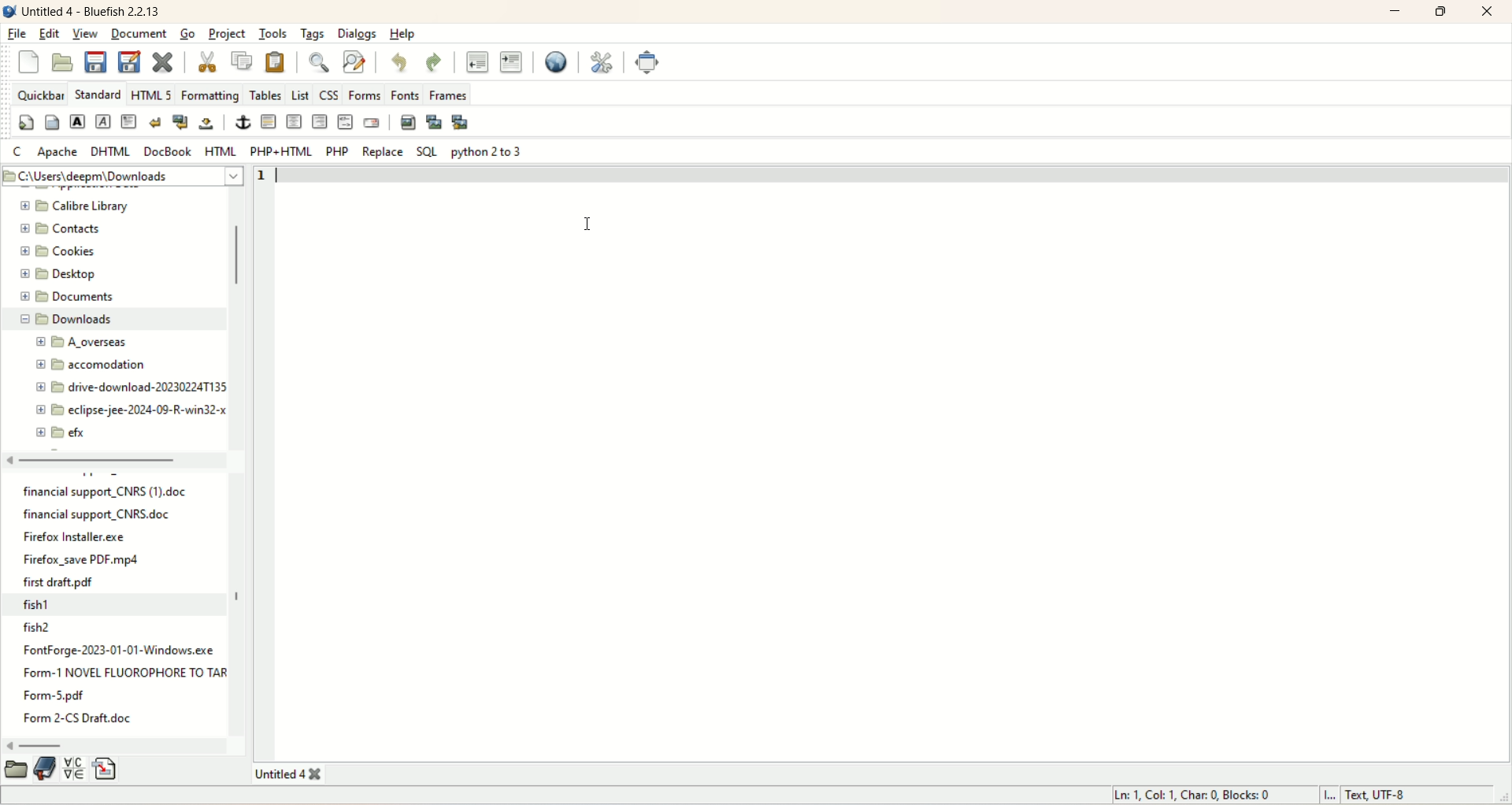 The width and height of the screenshot is (1512, 805). Describe the element at coordinates (409, 121) in the screenshot. I see `insert image` at that location.